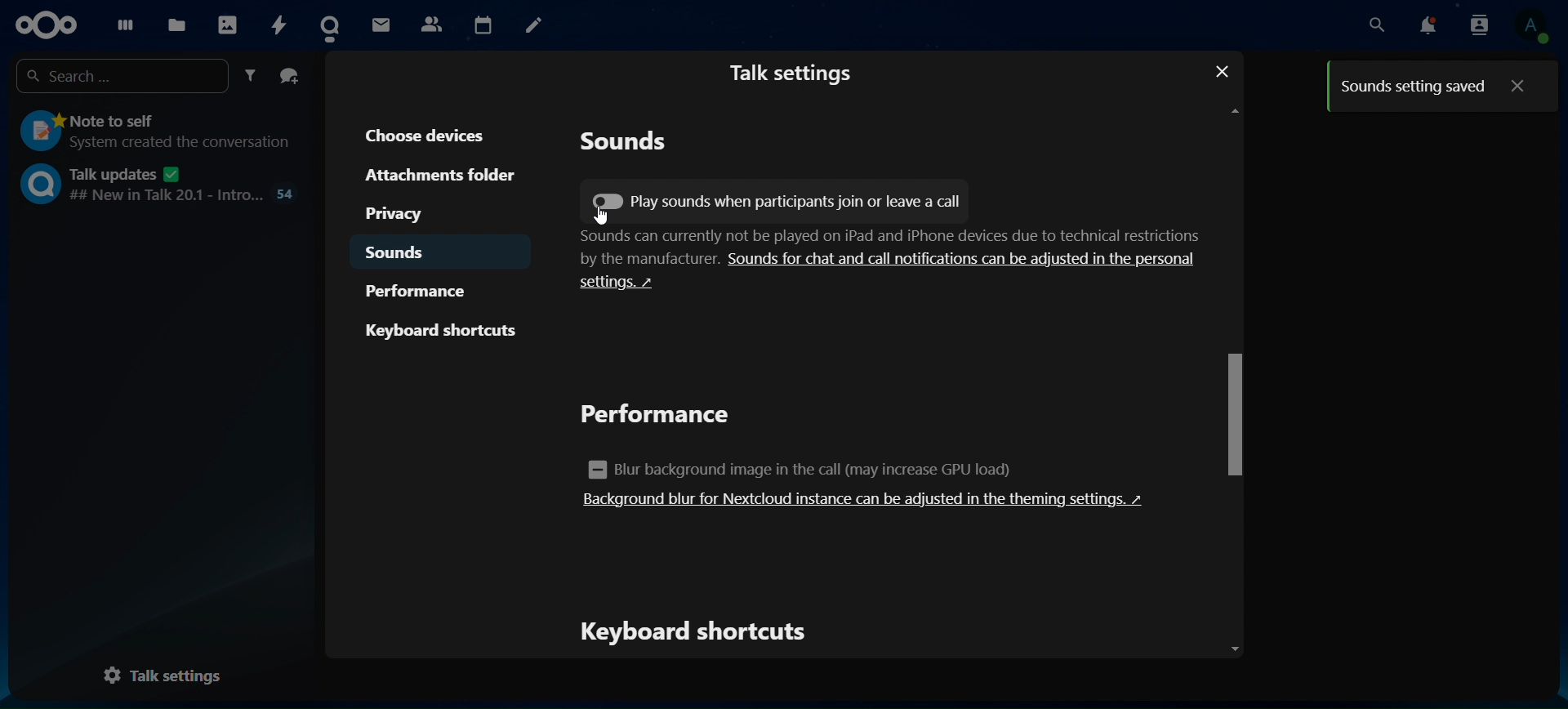 Image resolution: width=1568 pixels, height=709 pixels. What do you see at coordinates (1378, 25) in the screenshot?
I see `search` at bounding box center [1378, 25].